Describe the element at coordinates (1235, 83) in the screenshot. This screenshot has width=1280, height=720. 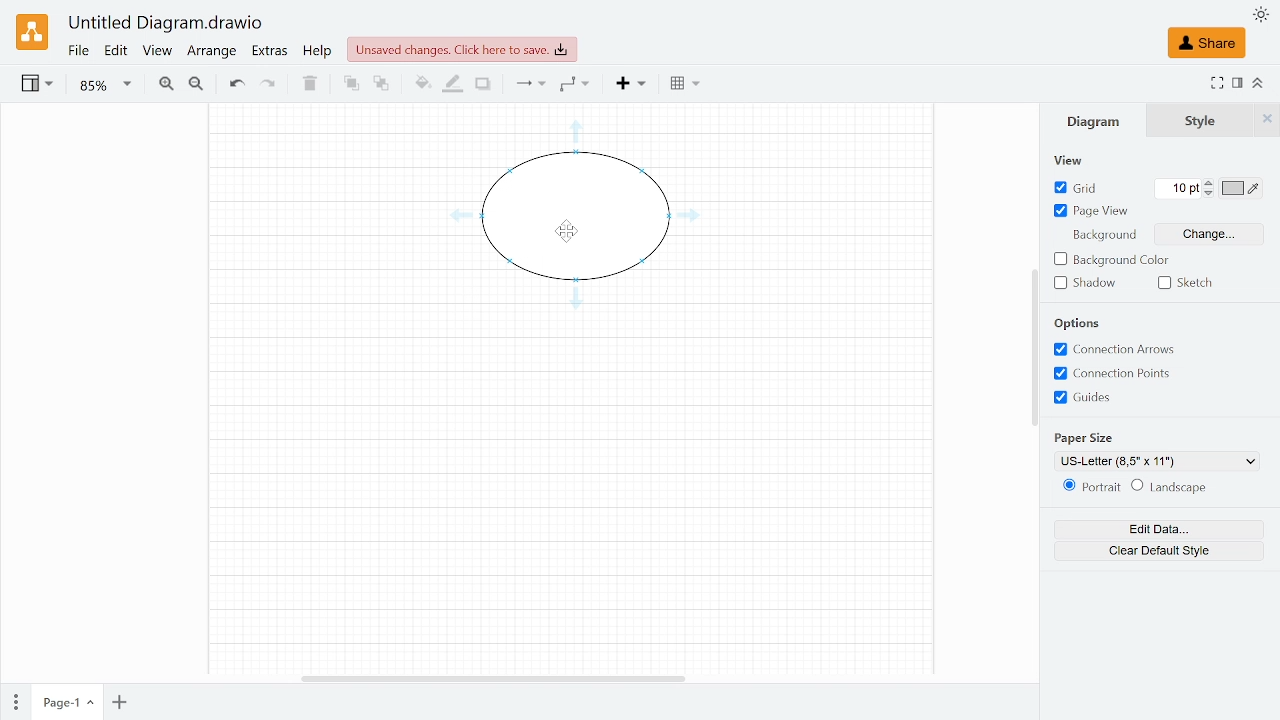
I see `Format` at that location.